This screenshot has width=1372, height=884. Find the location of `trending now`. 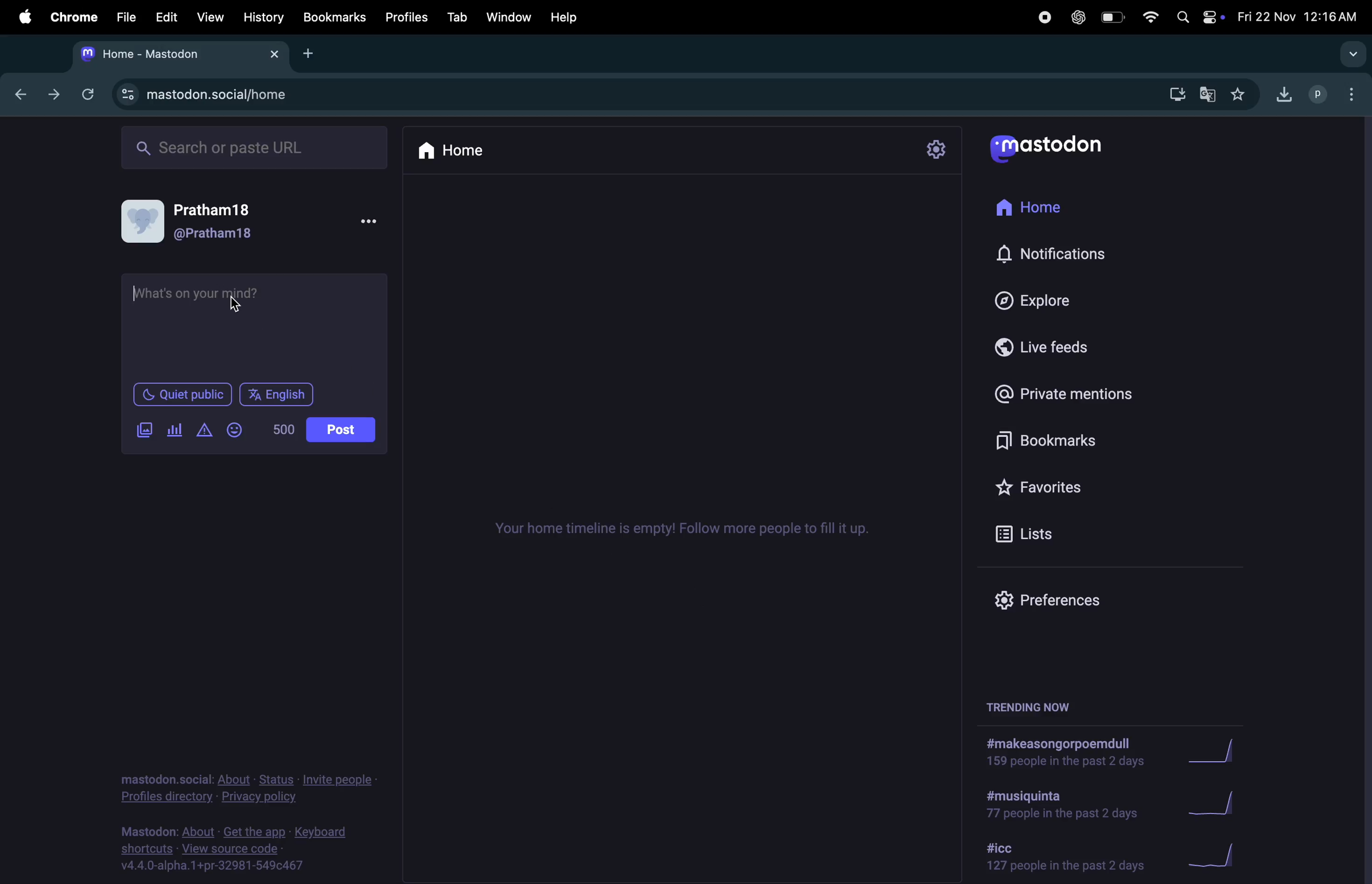

trending now is located at coordinates (1031, 709).